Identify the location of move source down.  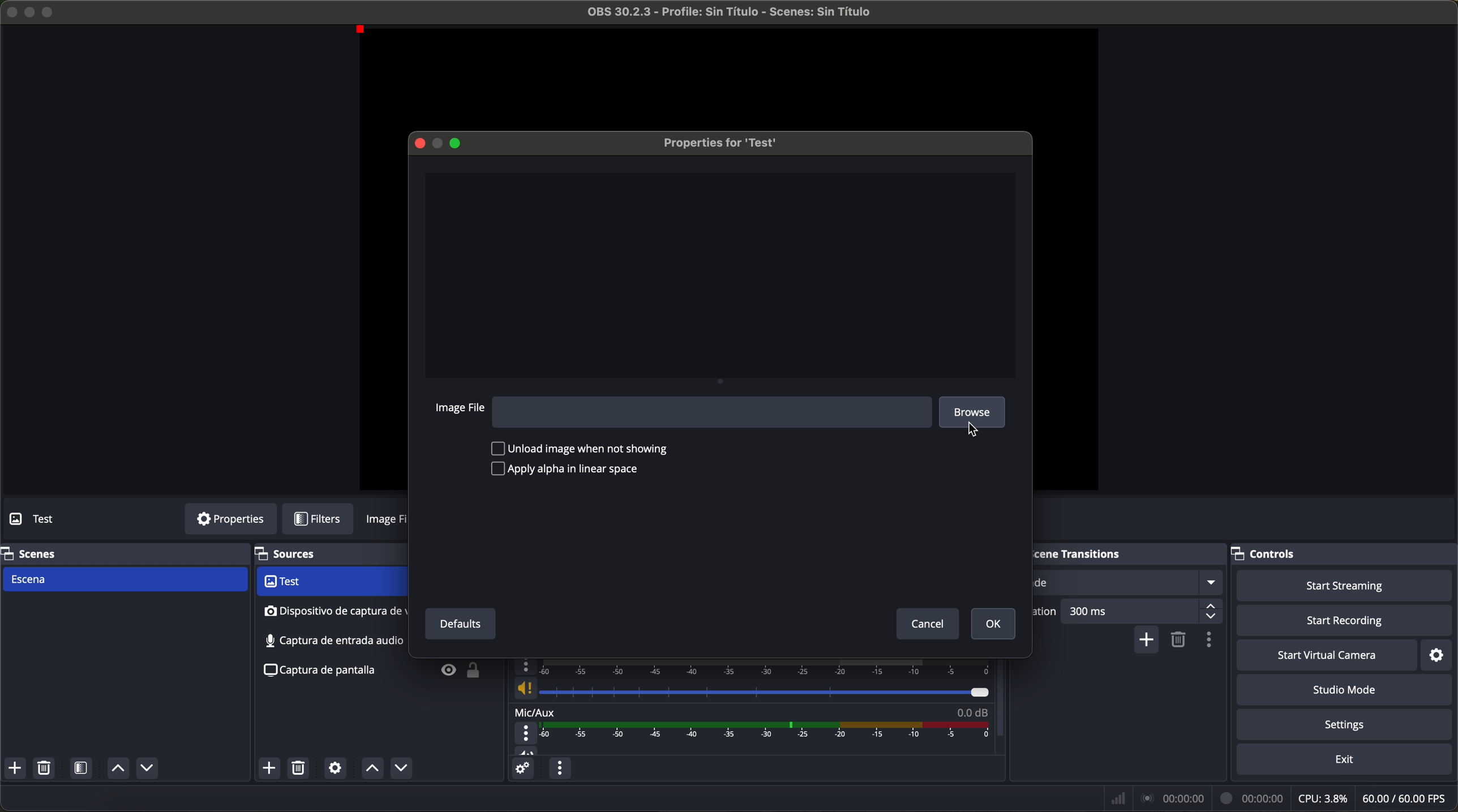
(398, 769).